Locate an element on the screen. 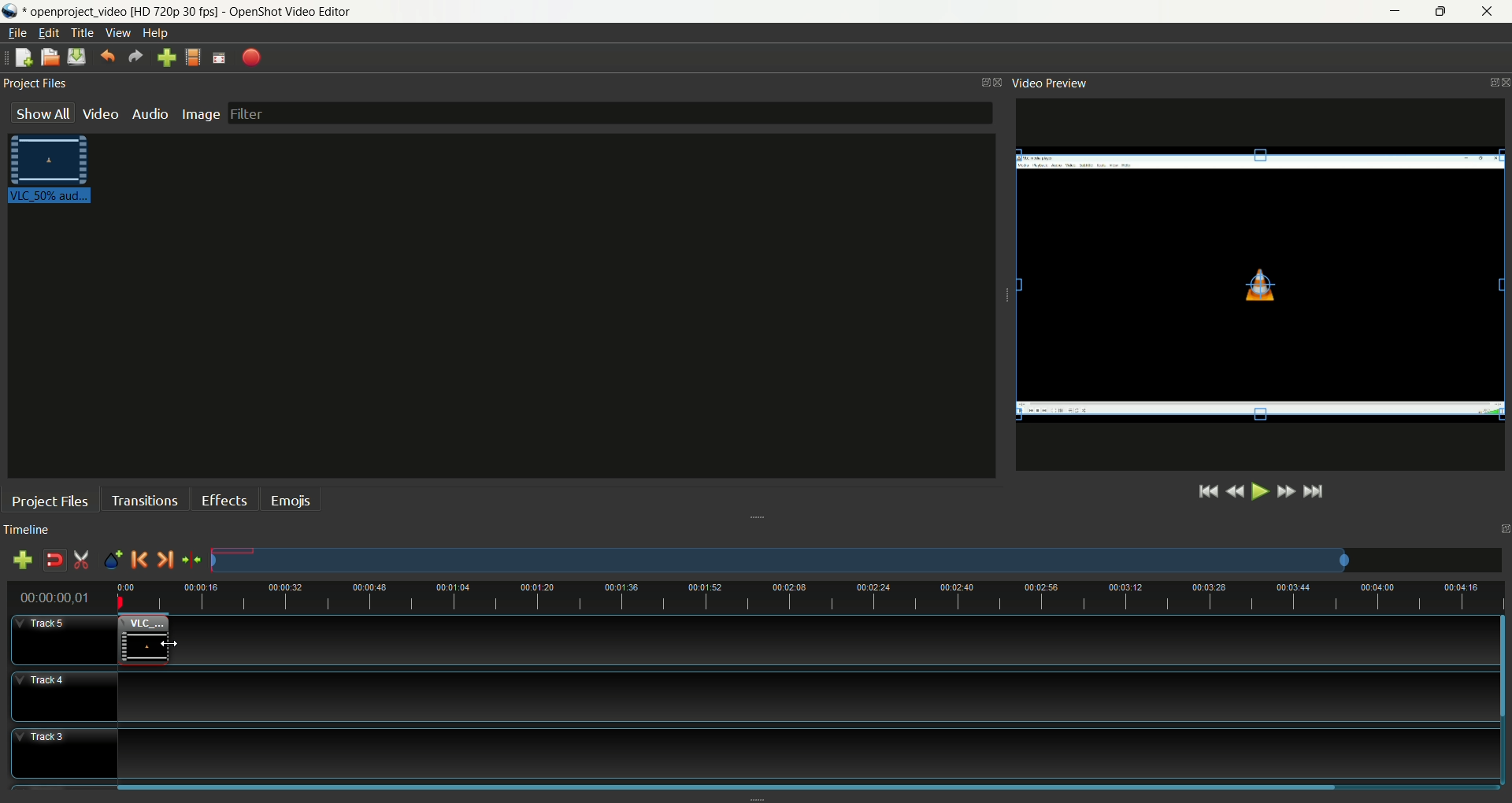 Image resolution: width=1512 pixels, height=803 pixels. cursor is located at coordinates (169, 642).